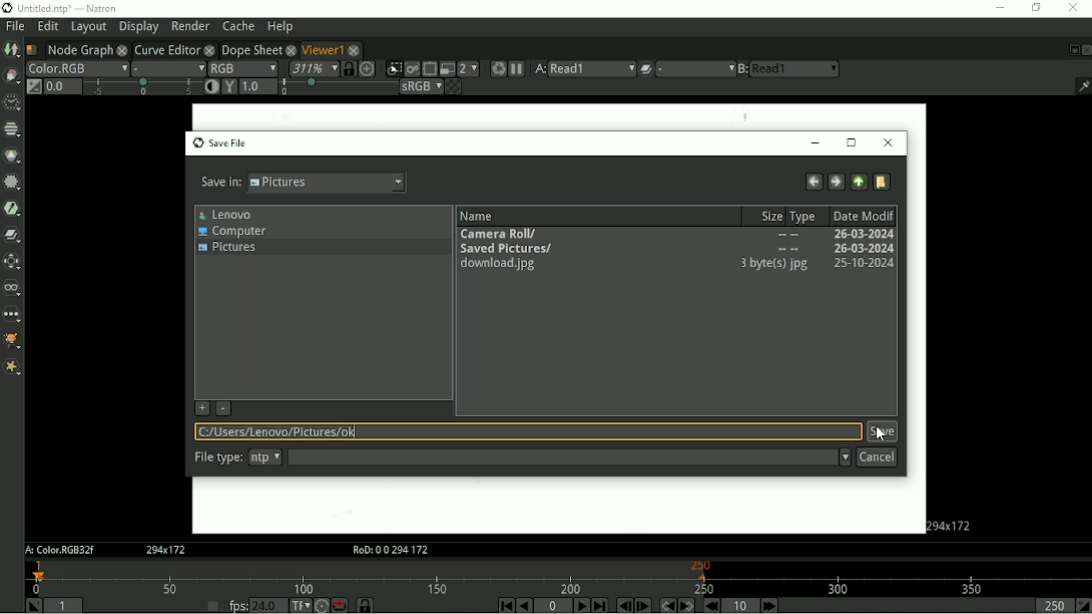 This screenshot has height=614, width=1092. Describe the element at coordinates (711, 606) in the screenshot. I see `Previous increment` at that location.